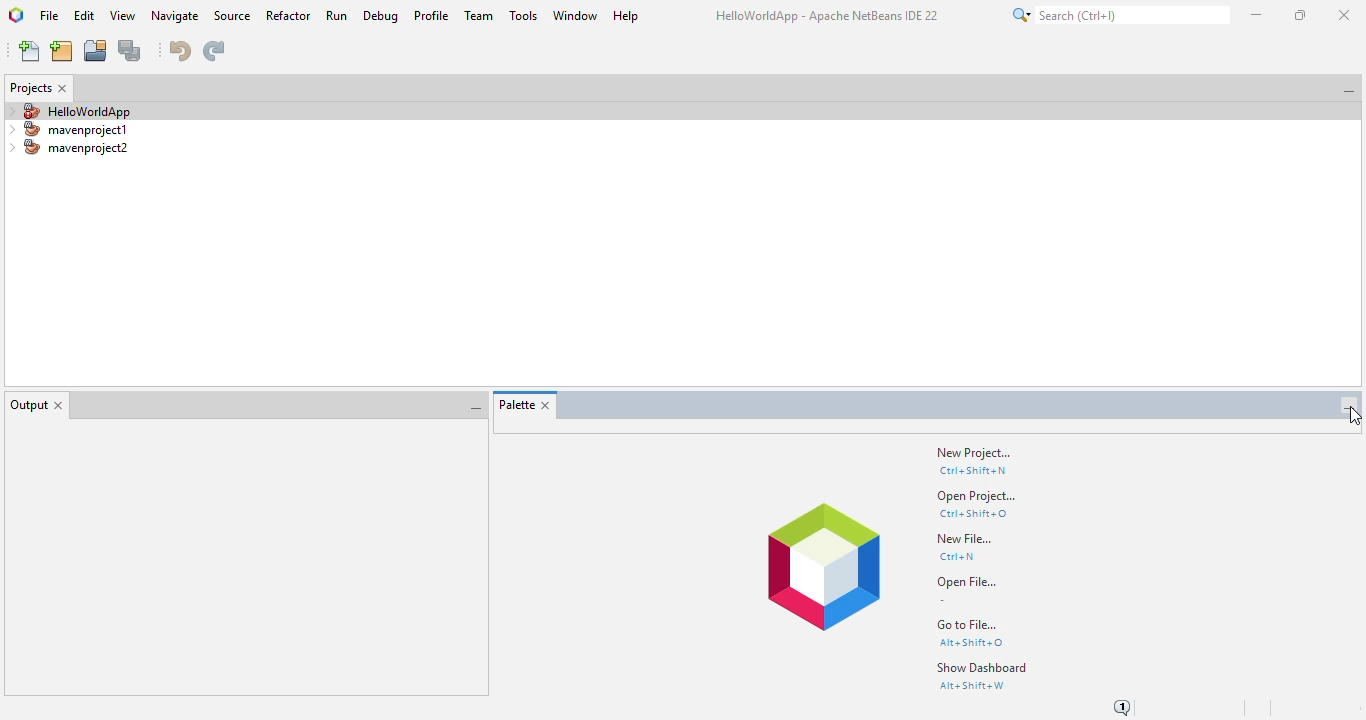  I want to click on navigate, so click(176, 17).